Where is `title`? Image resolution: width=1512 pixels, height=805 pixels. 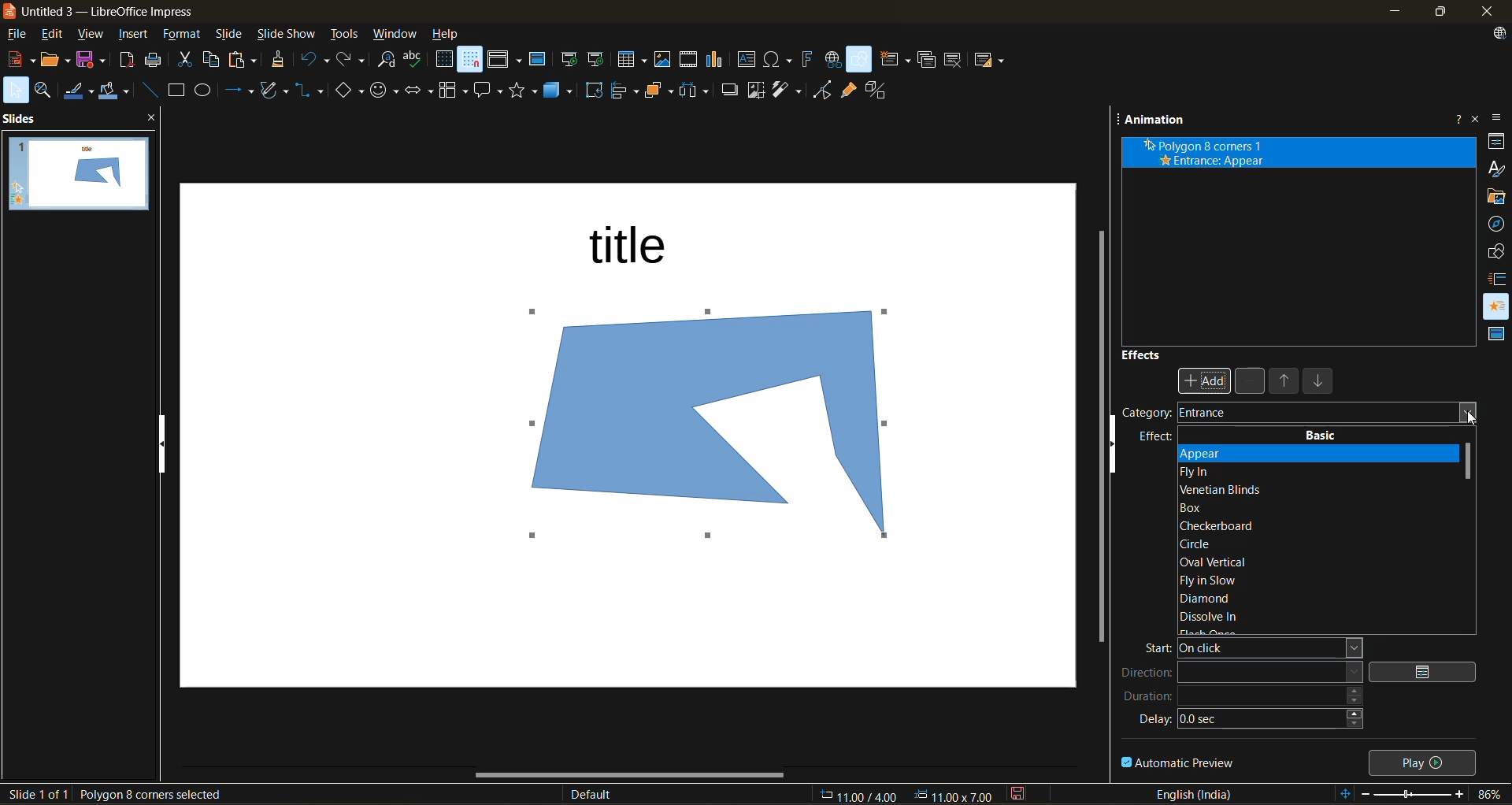
title is located at coordinates (632, 244).